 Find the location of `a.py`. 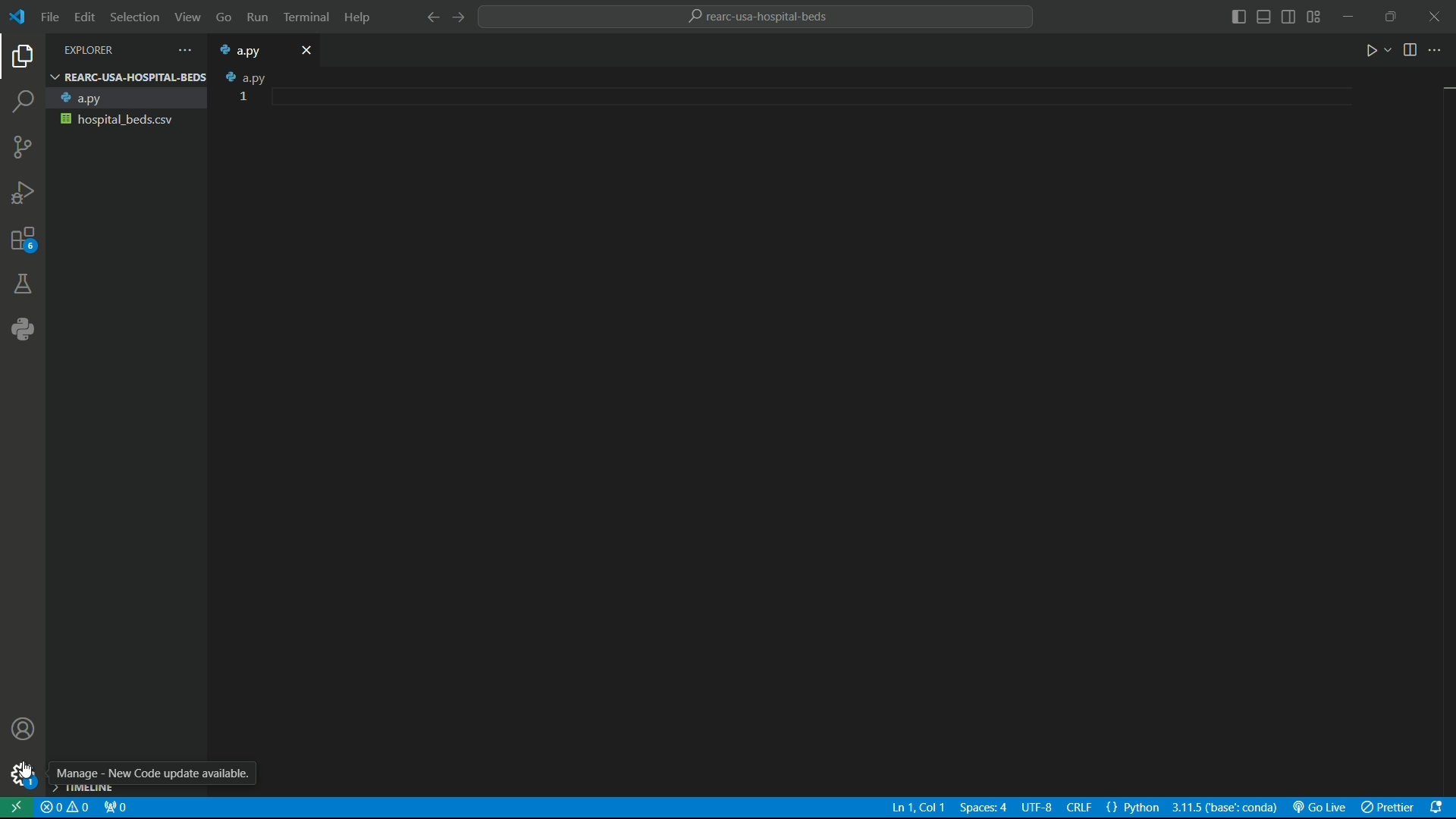

a.py is located at coordinates (249, 50).